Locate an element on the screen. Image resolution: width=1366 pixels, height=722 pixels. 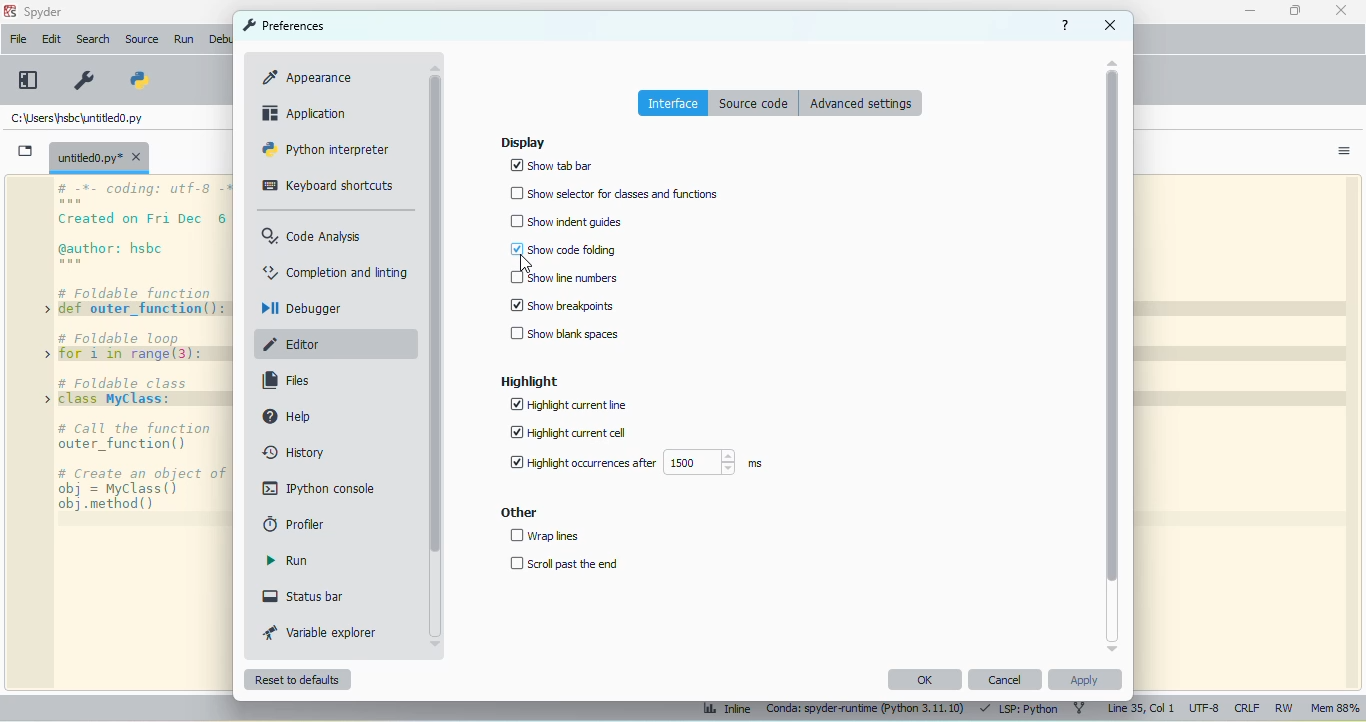
UTF-8 is located at coordinates (1205, 709).